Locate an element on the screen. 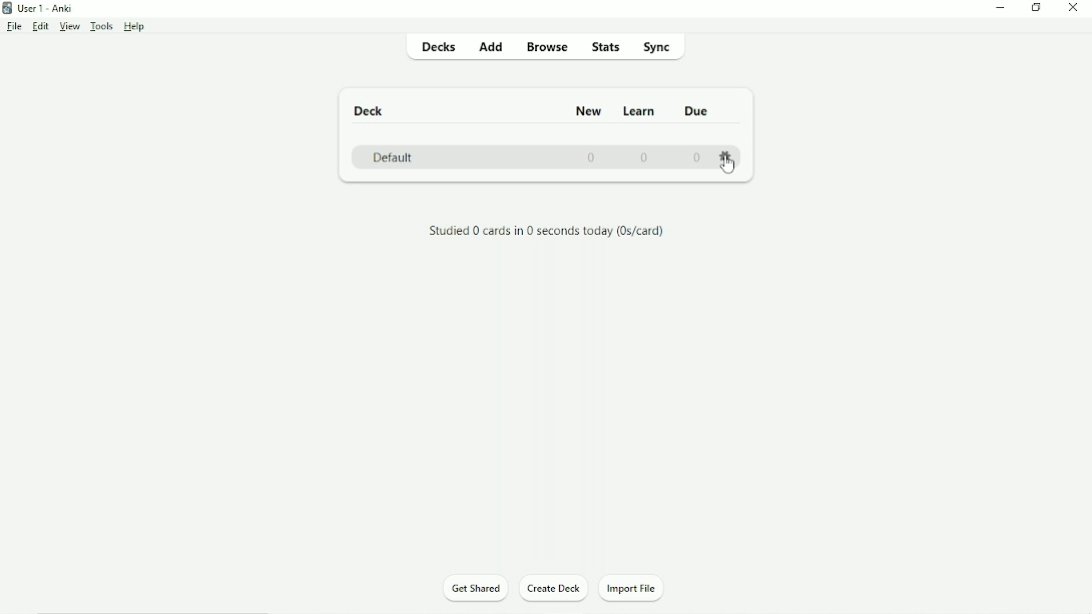 The width and height of the screenshot is (1092, 614). Restore down is located at coordinates (1037, 7).